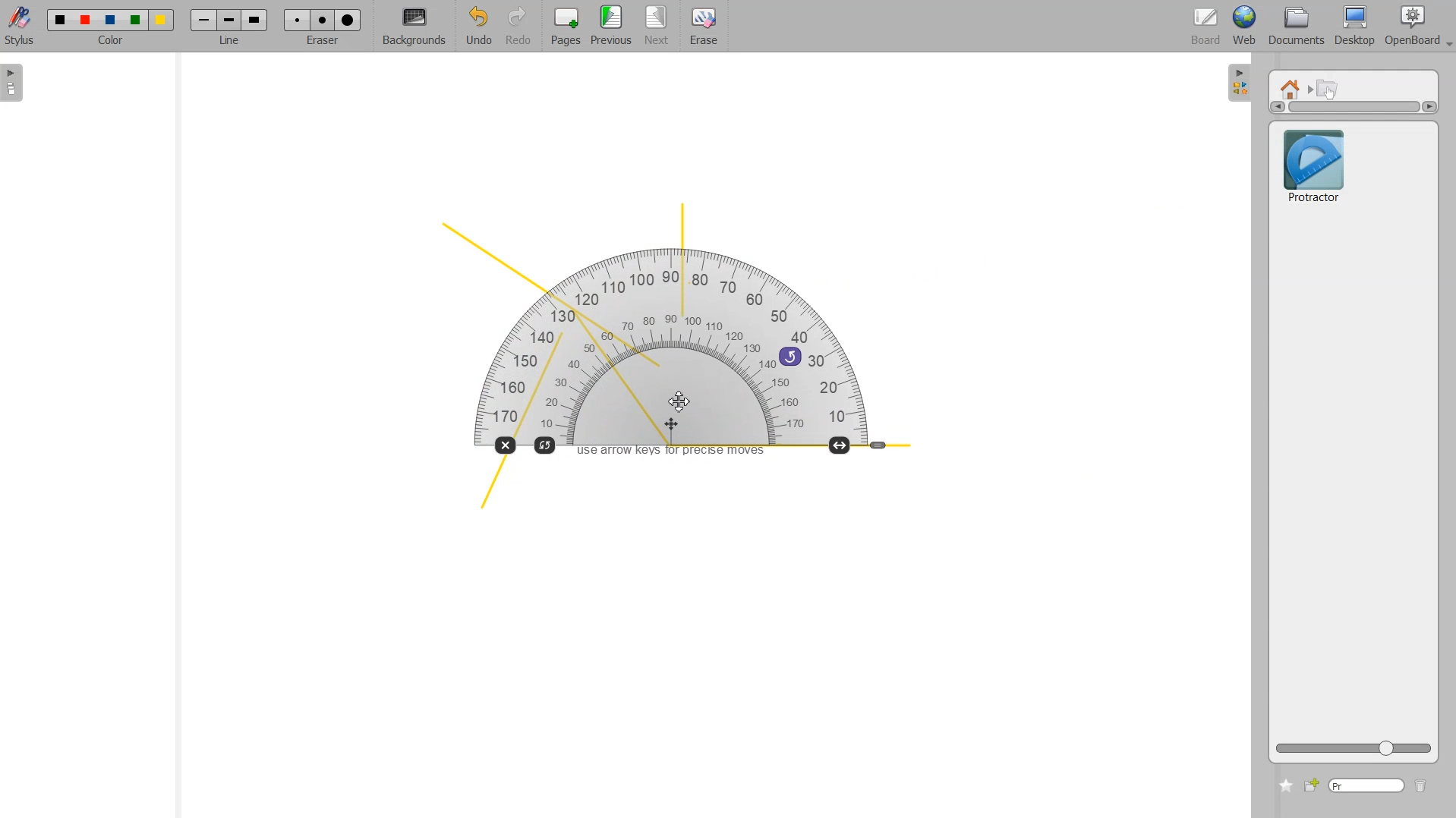 This screenshot has height=818, width=1456. I want to click on Protractor, so click(705, 357).